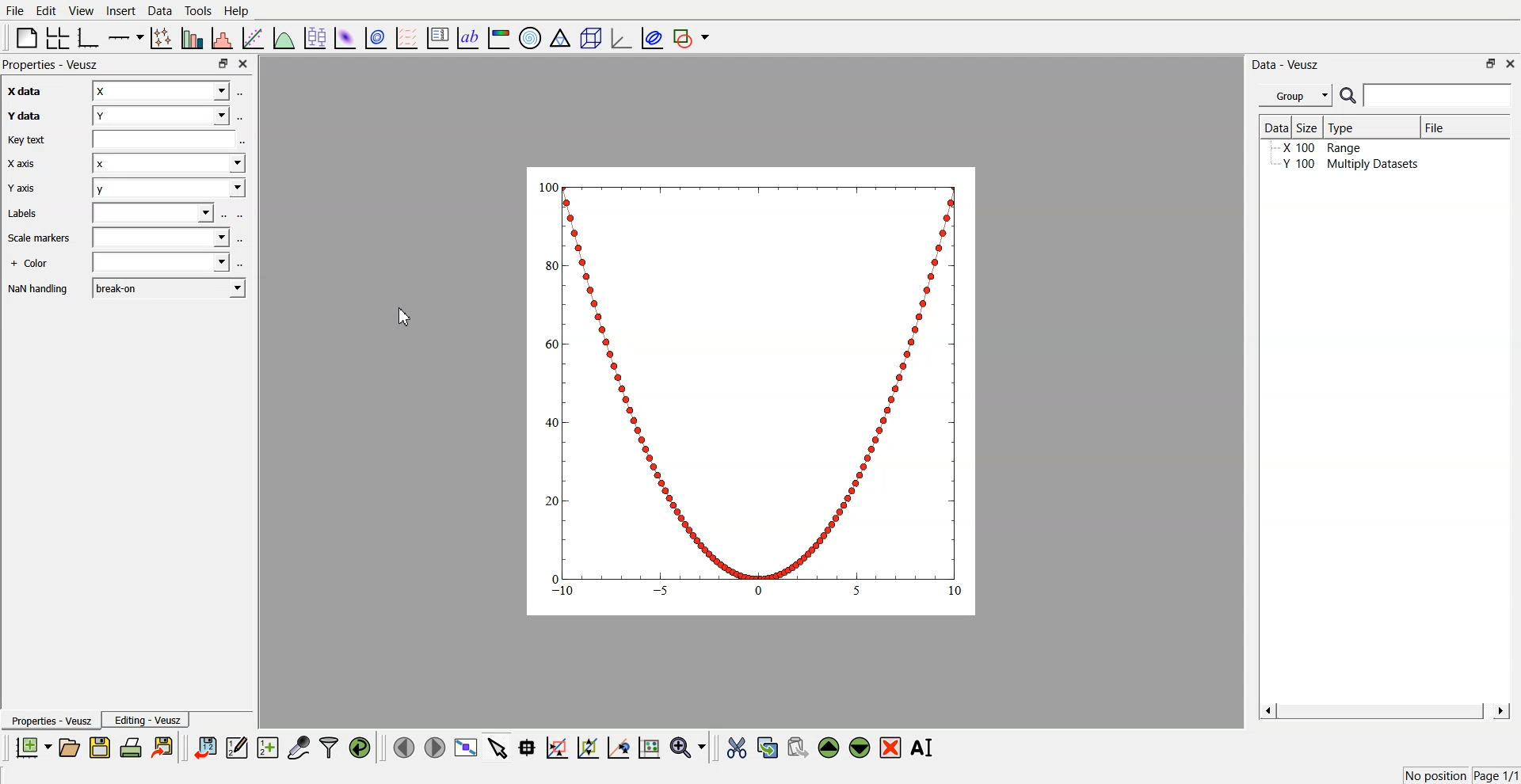  I want to click on Properties - Veusz, so click(51, 721).